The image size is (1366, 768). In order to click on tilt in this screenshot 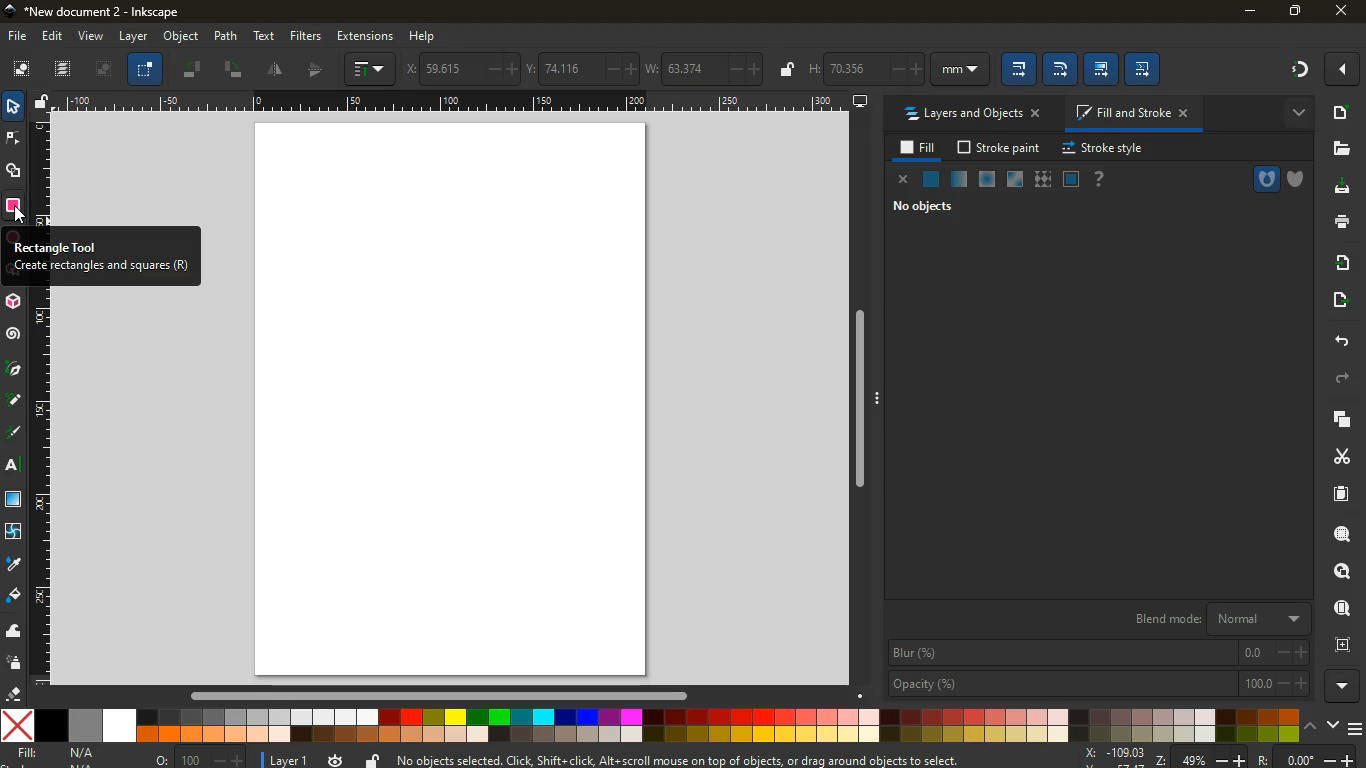, I will do `click(235, 68)`.